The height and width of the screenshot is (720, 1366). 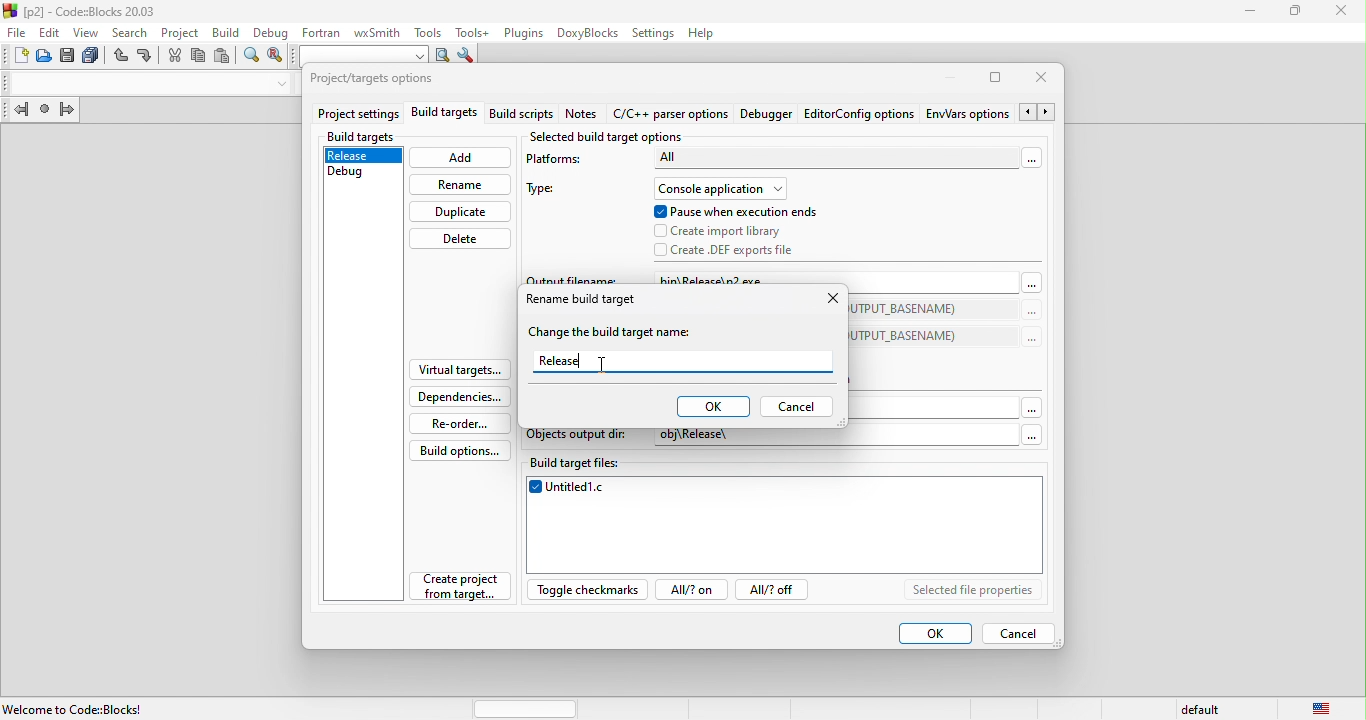 I want to click on title, so click(x=84, y=10).